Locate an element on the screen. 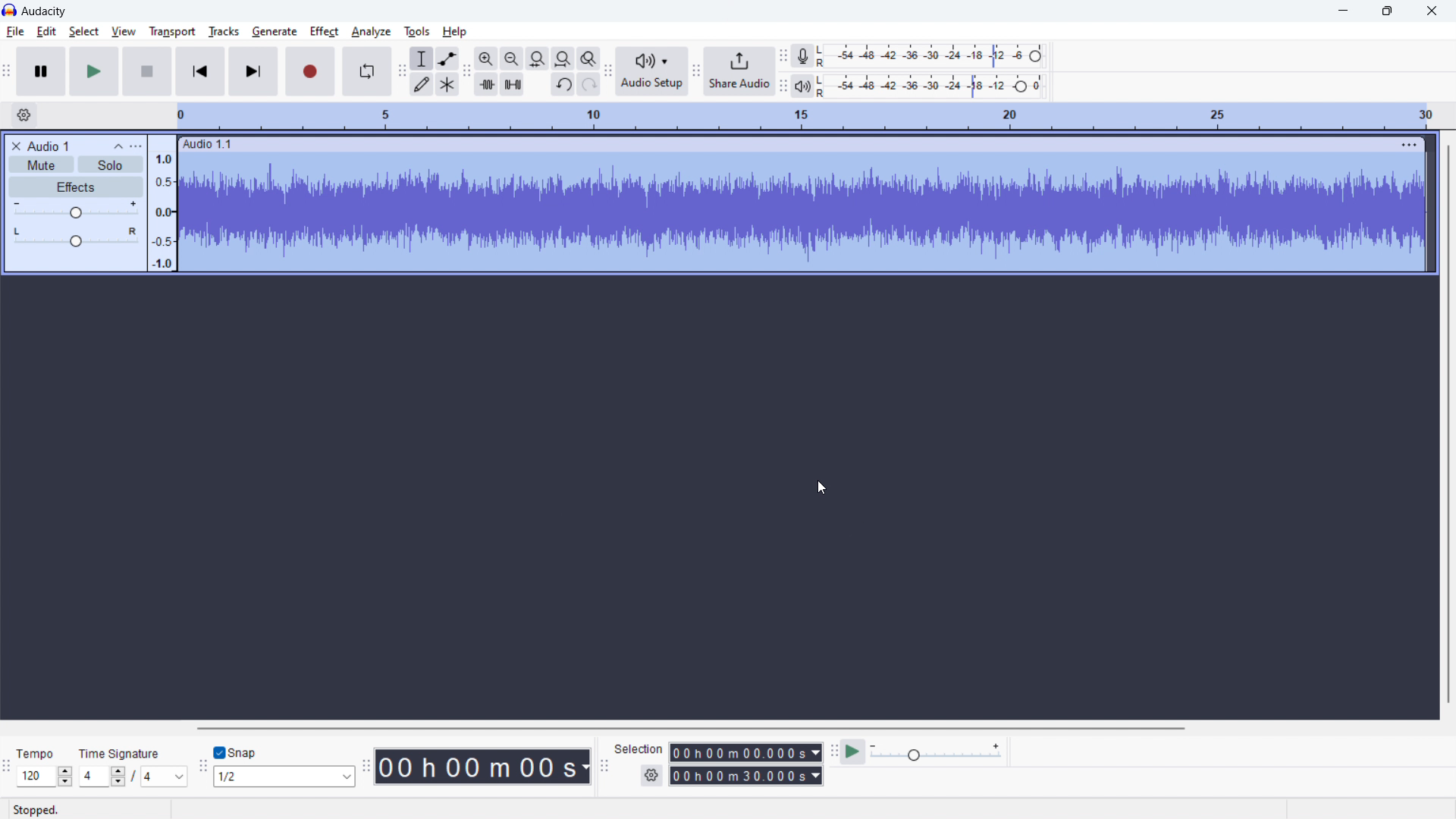 The image size is (1456, 819). maximize is located at coordinates (1386, 11).